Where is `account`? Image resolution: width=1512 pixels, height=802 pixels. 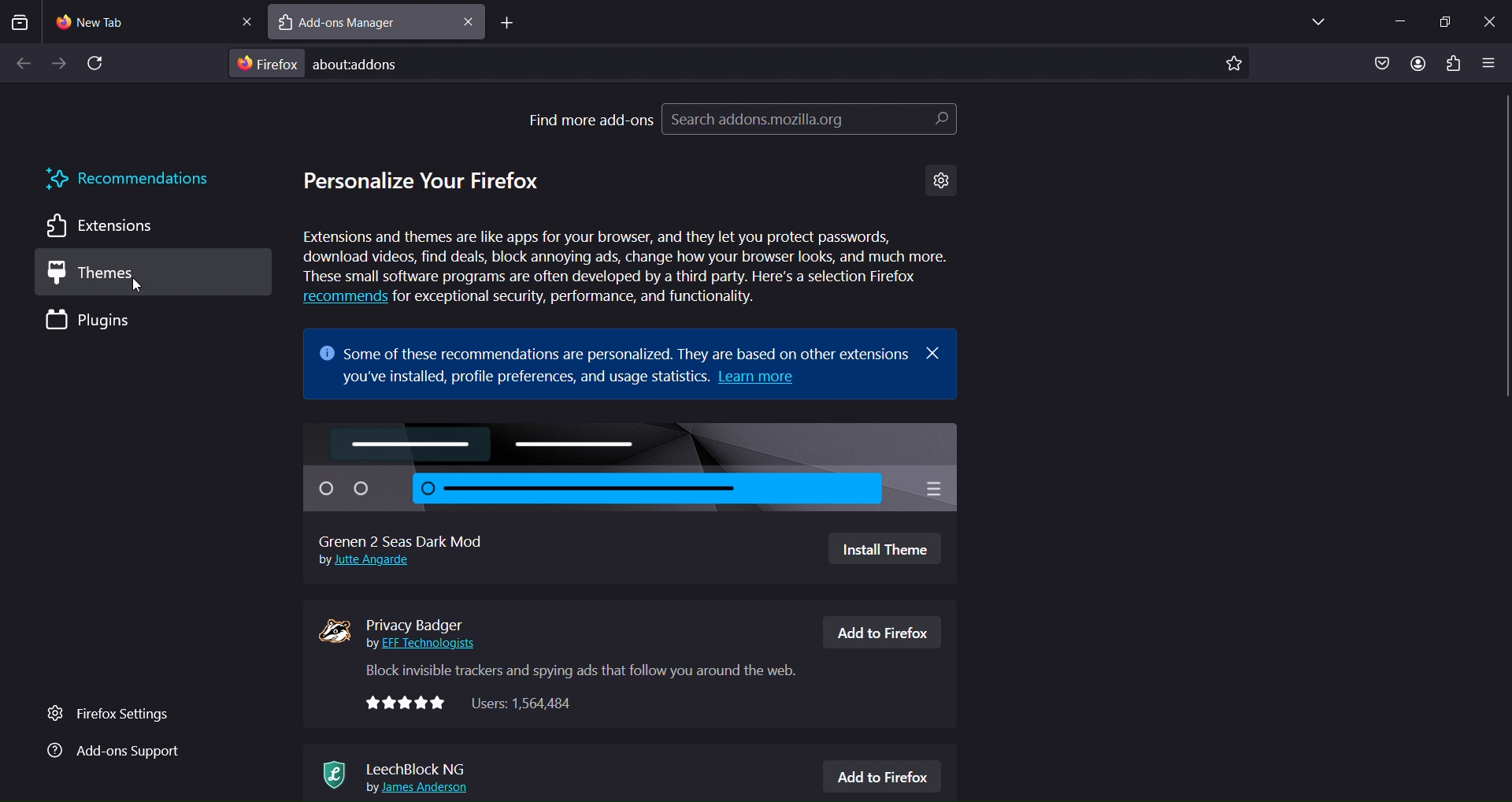
account is located at coordinates (1417, 65).